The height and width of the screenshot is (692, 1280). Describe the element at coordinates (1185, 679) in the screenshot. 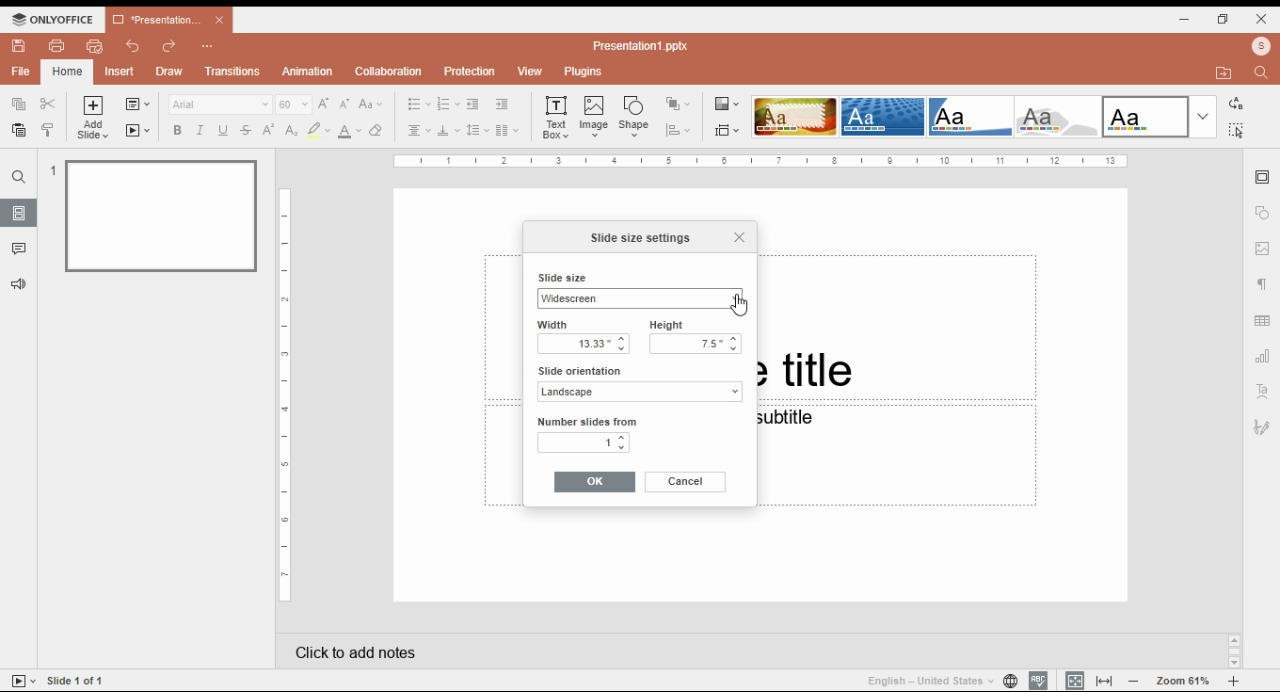

I see `Zoom 61%` at that location.